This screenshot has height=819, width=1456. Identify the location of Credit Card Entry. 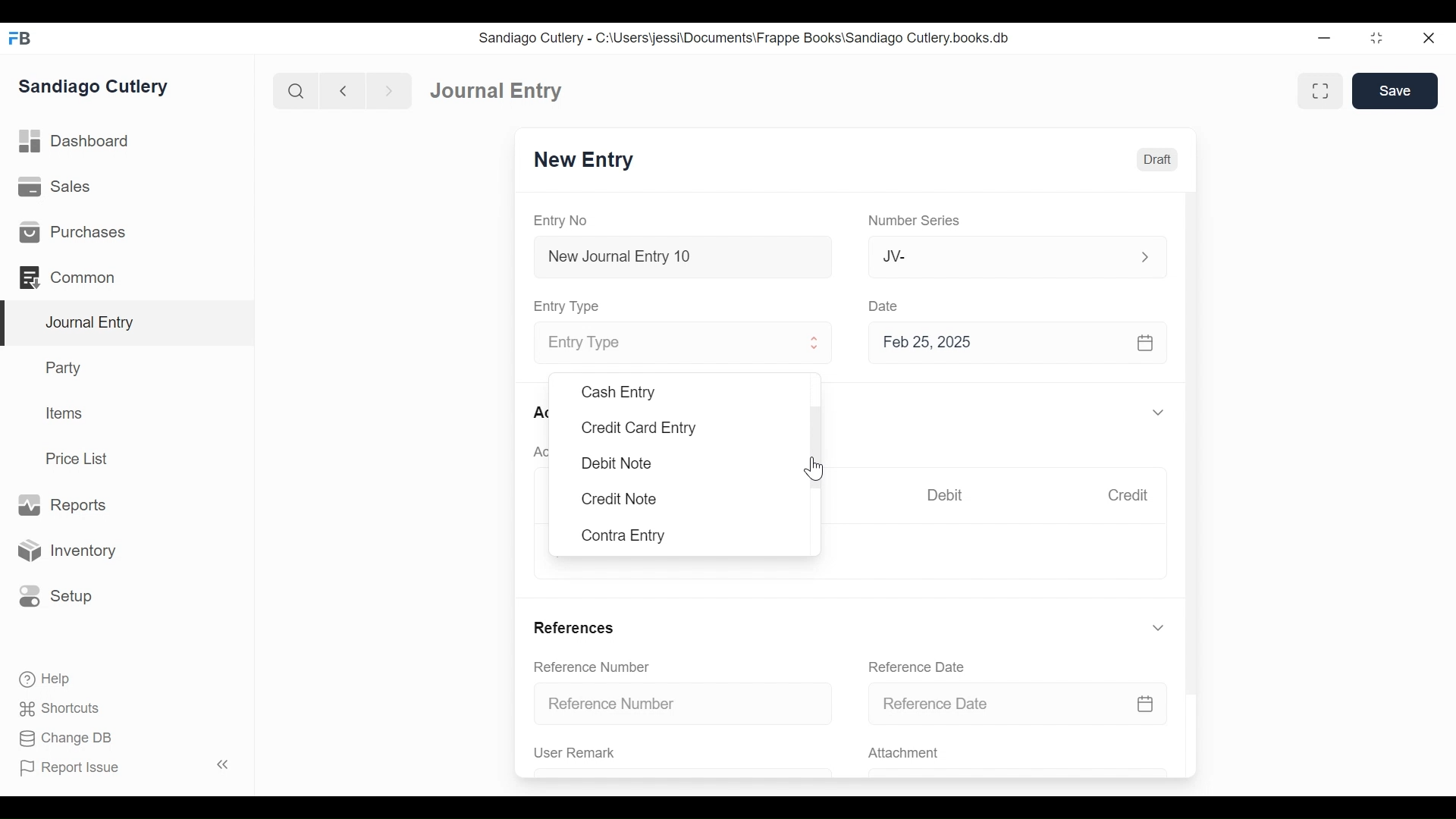
(638, 428).